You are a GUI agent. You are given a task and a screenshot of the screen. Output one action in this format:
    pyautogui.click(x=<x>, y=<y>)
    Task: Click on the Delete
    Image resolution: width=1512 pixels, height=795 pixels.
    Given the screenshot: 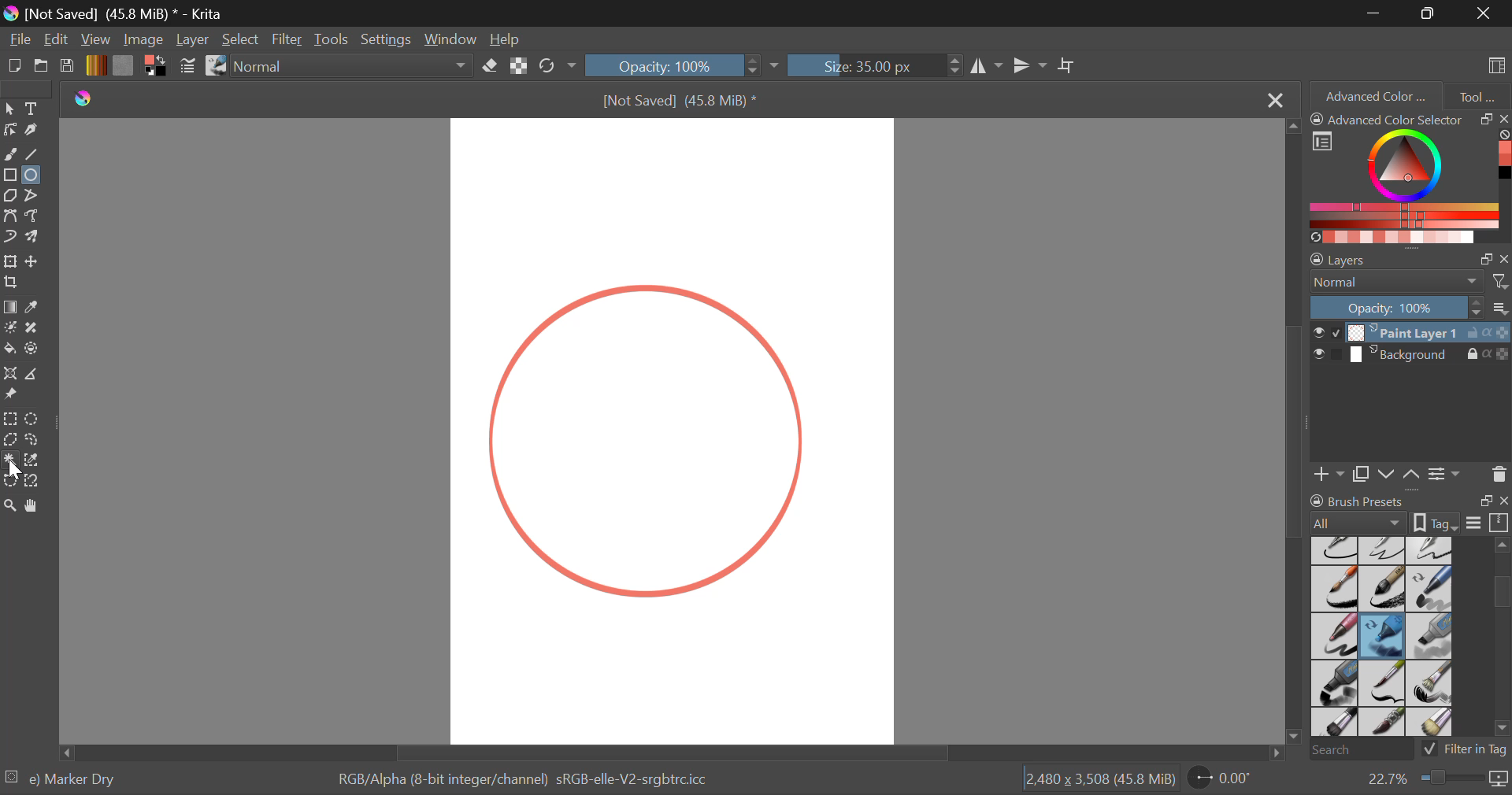 What is the action you would take?
    pyautogui.click(x=1499, y=474)
    